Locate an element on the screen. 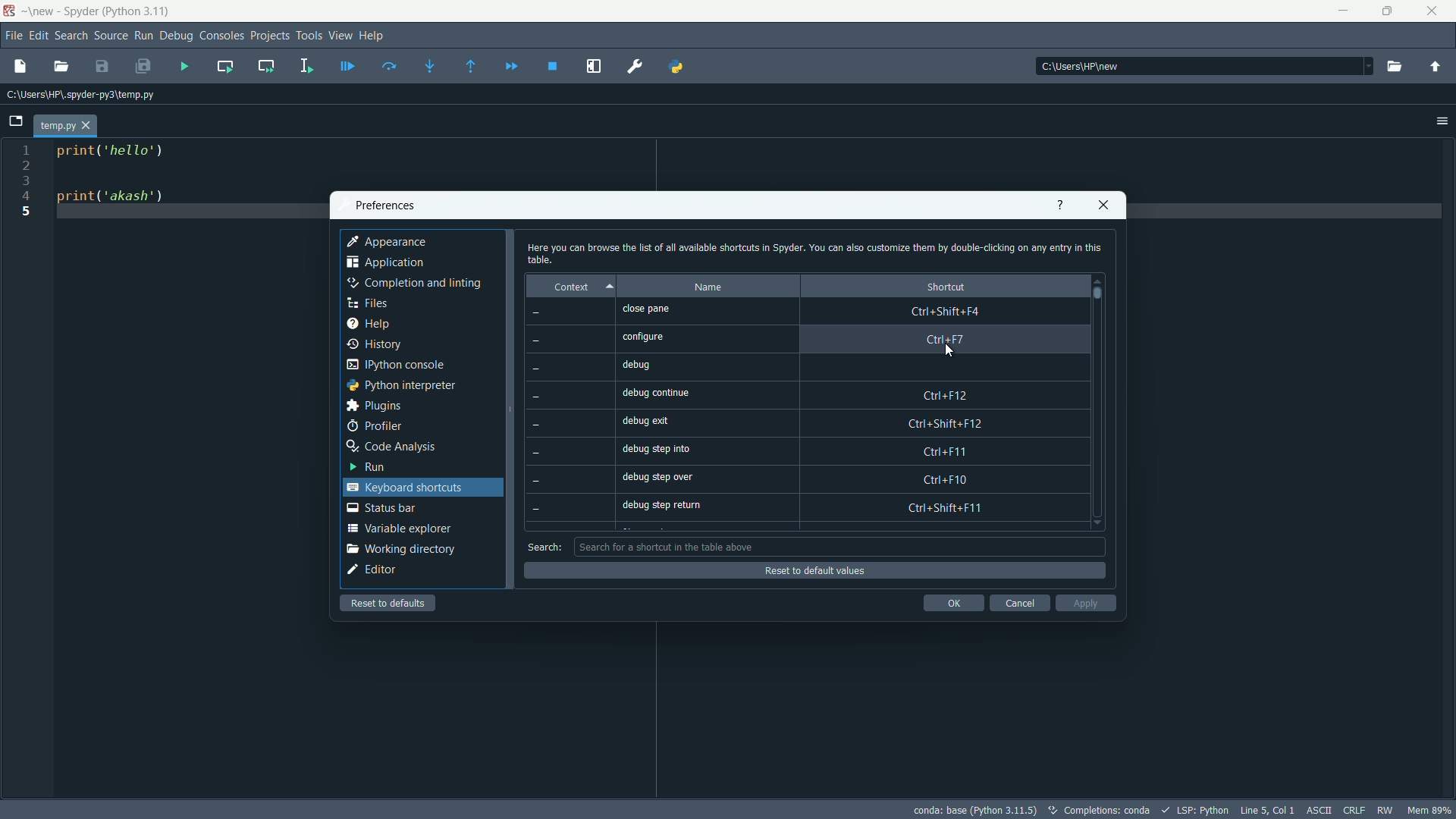  run current line is located at coordinates (389, 66).